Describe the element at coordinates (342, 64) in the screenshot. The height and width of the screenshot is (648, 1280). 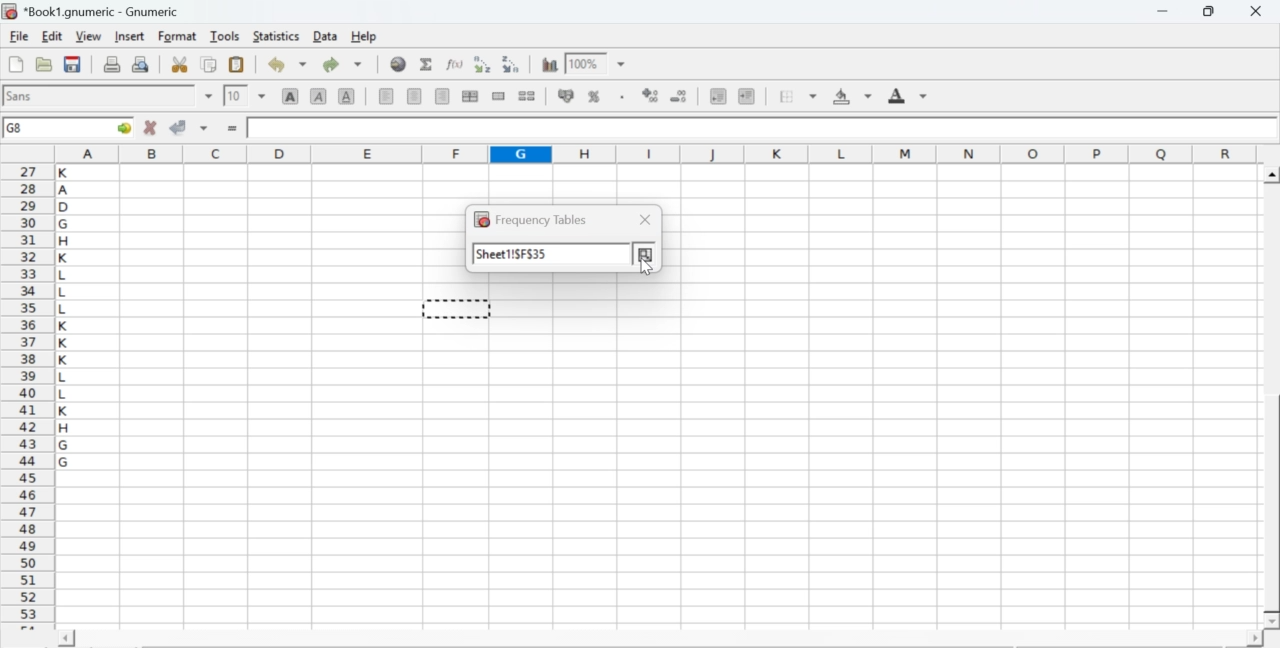
I see `redo` at that location.